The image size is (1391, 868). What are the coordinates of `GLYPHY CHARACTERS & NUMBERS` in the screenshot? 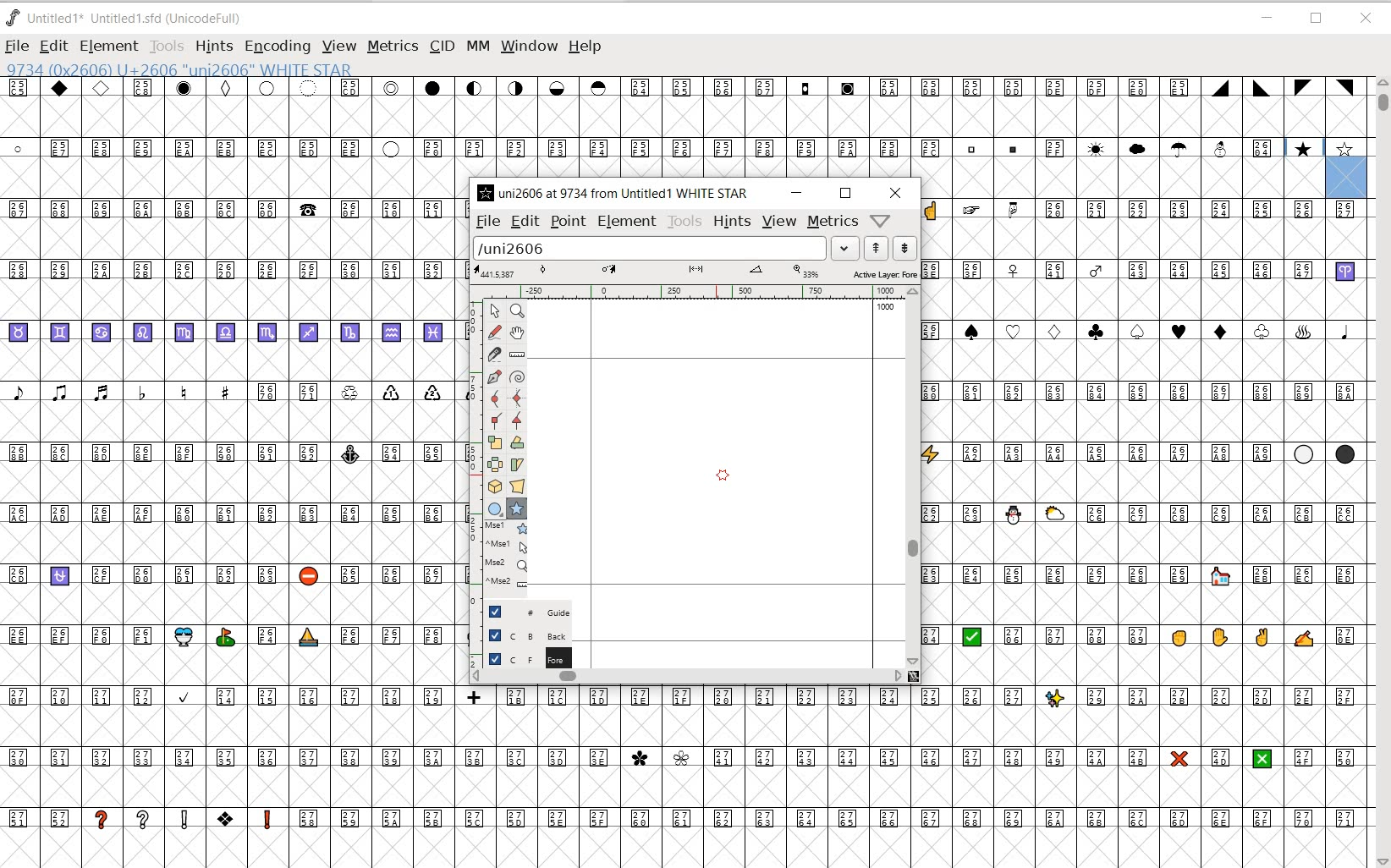 It's located at (1144, 350).